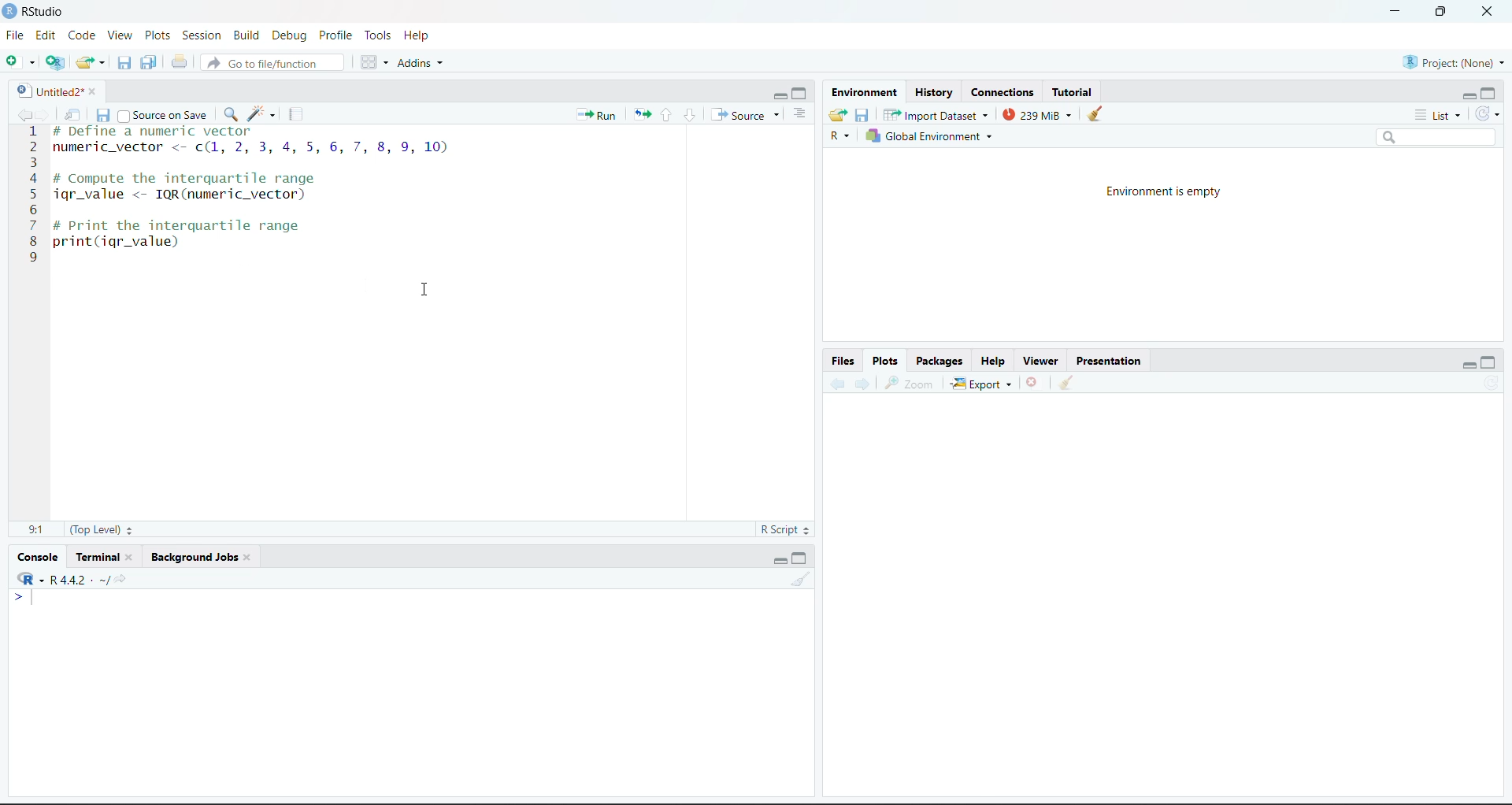 The width and height of the screenshot is (1512, 805). Describe the element at coordinates (36, 13) in the screenshot. I see `RStudio` at that location.